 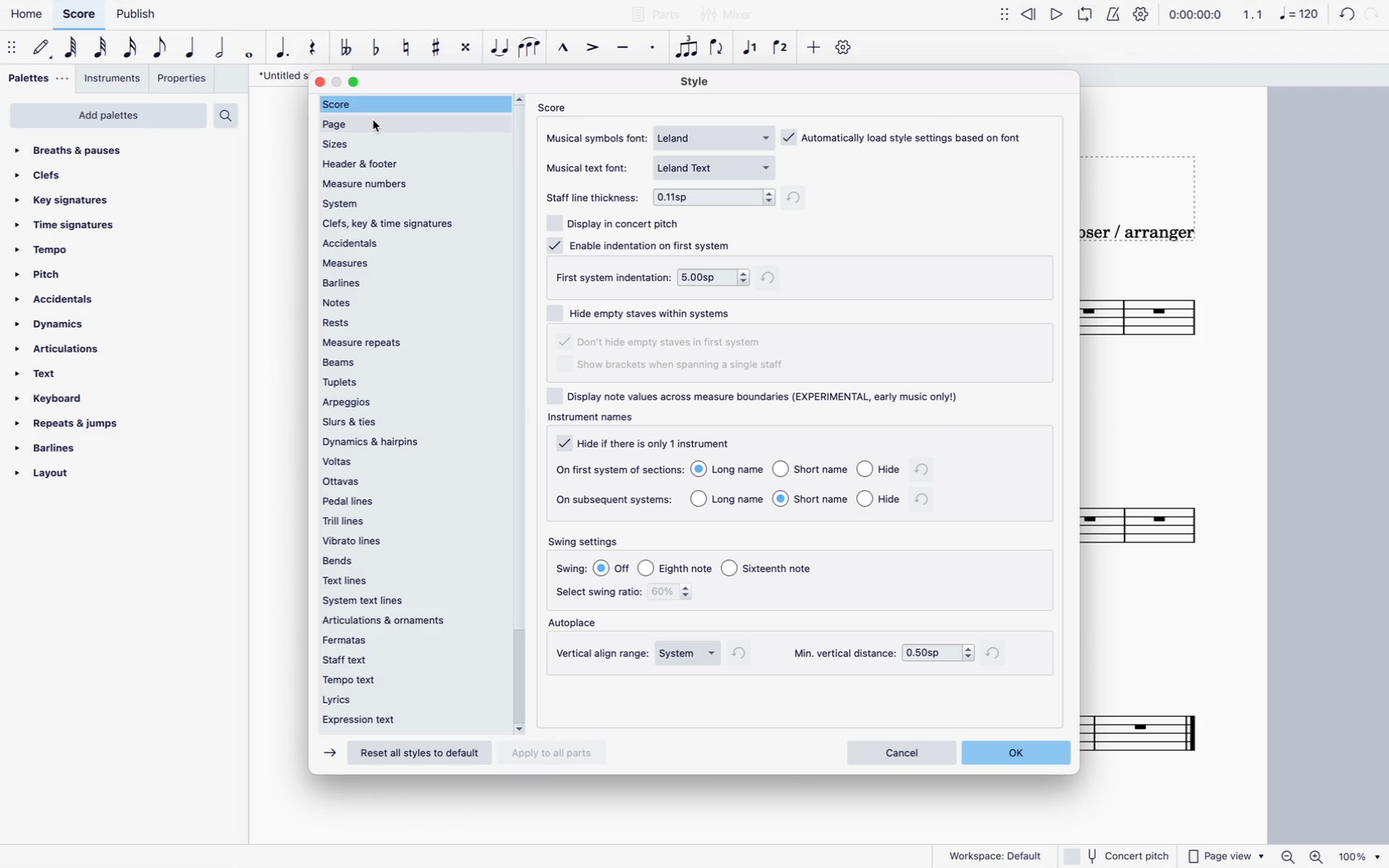 I want to click on text, so click(x=45, y=375).